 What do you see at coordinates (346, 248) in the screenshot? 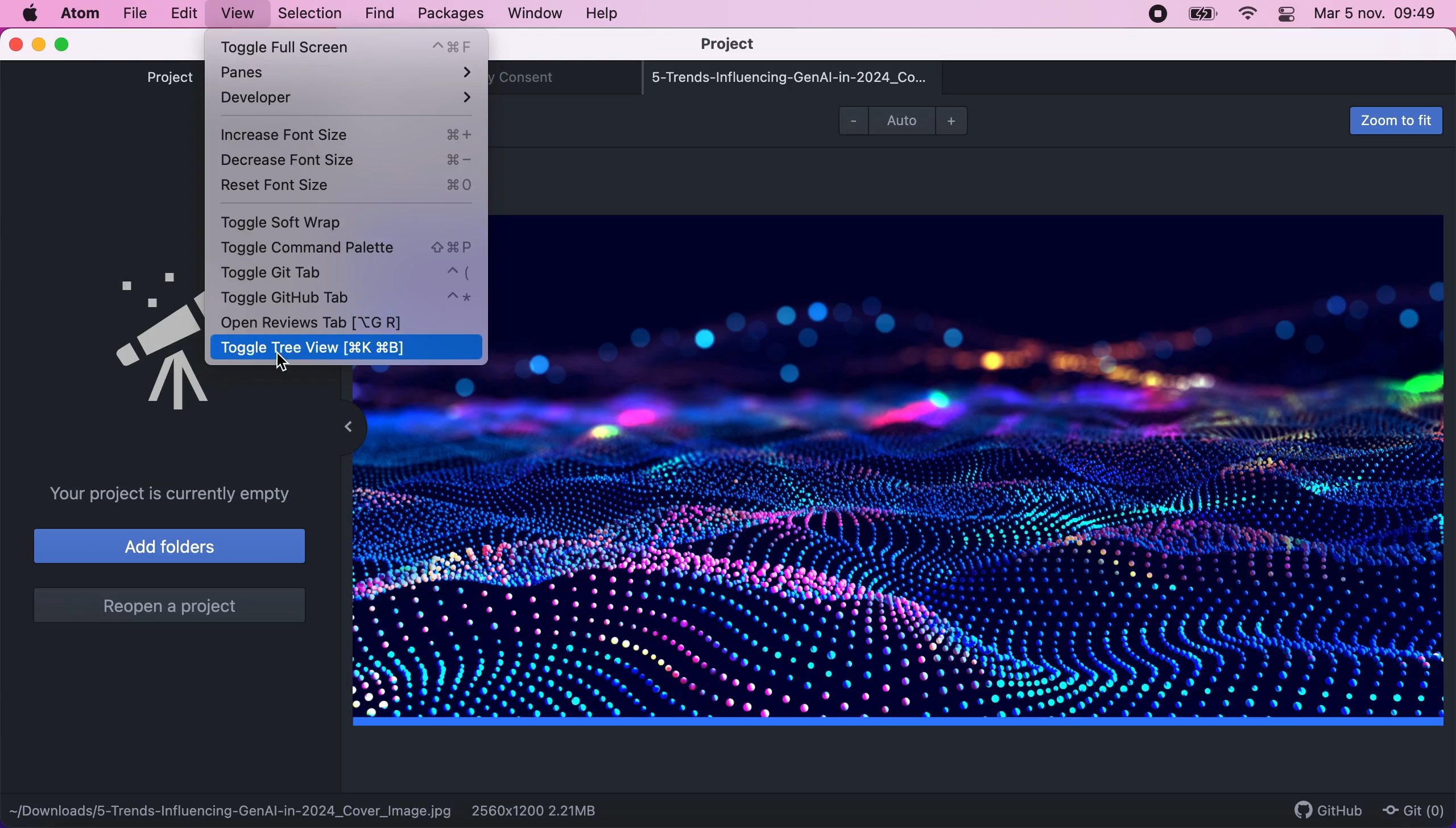
I see `toggle comman palette` at bounding box center [346, 248].